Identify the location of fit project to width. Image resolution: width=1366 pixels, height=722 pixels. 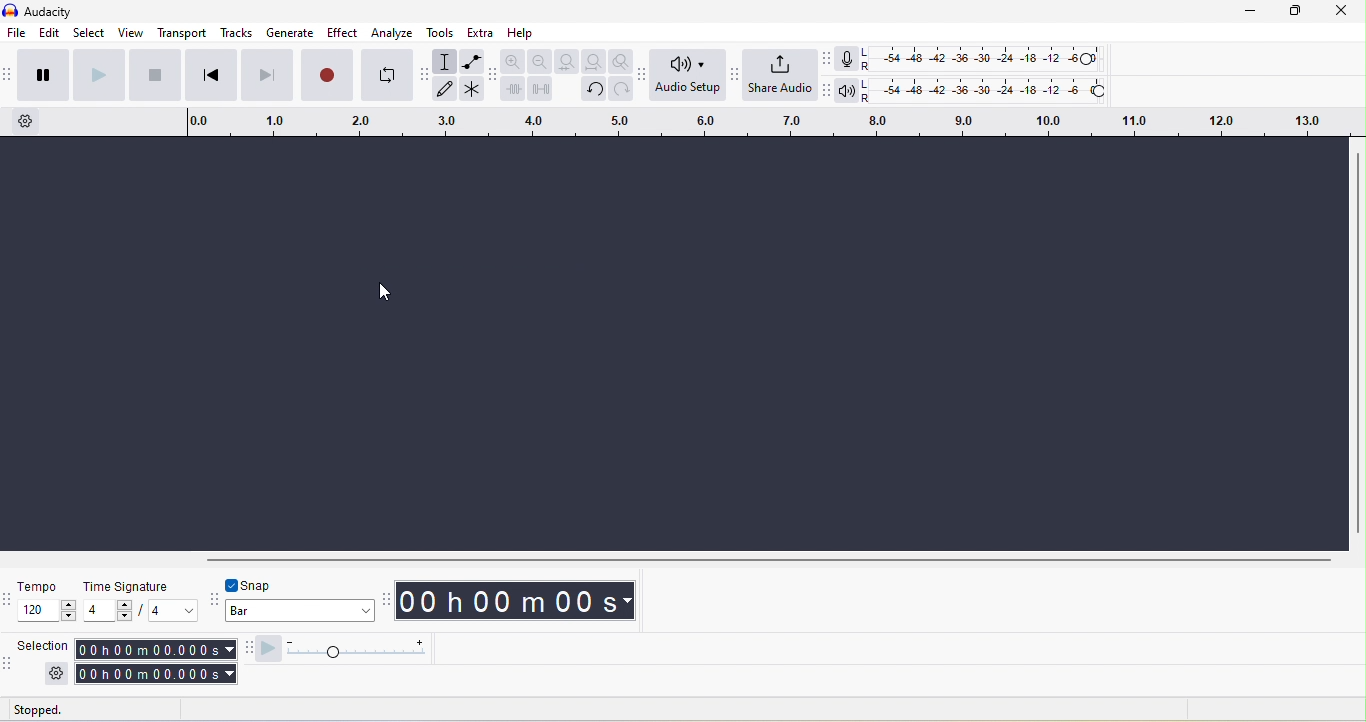
(595, 61).